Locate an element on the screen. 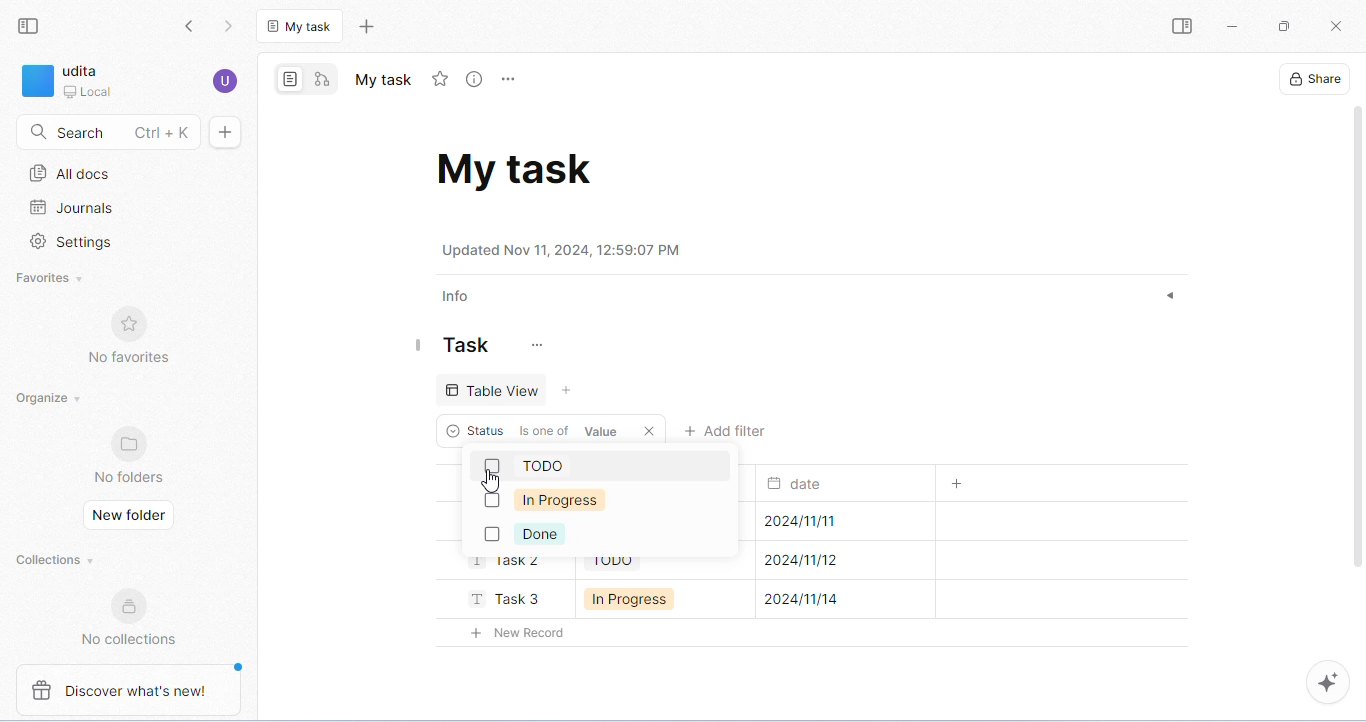  date and time of update is located at coordinates (565, 249).